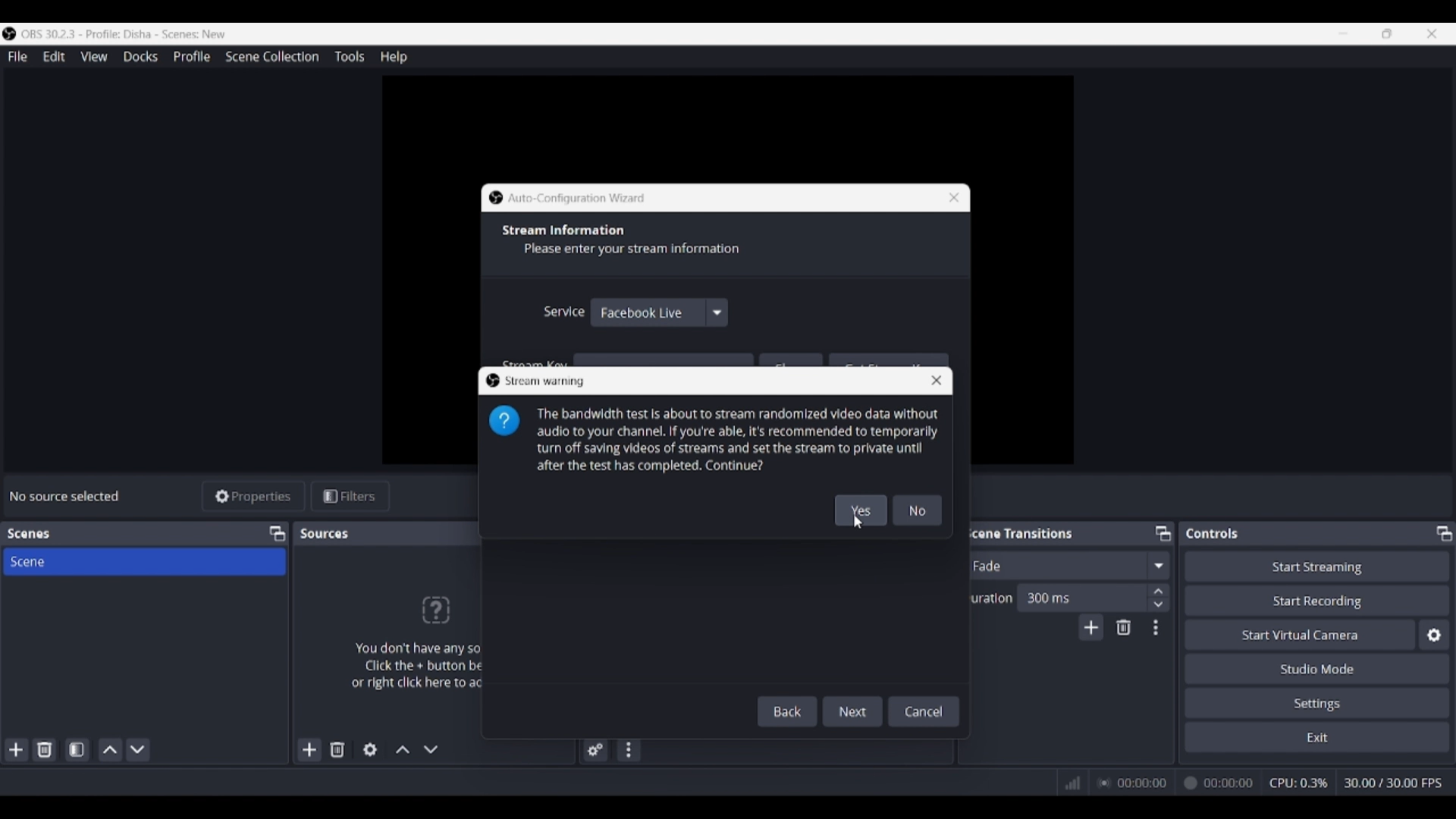 The width and height of the screenshot is (1456, 819). Describe the element at coordinates (17, 750) in the screenshot. I see `Add scene` at that location.